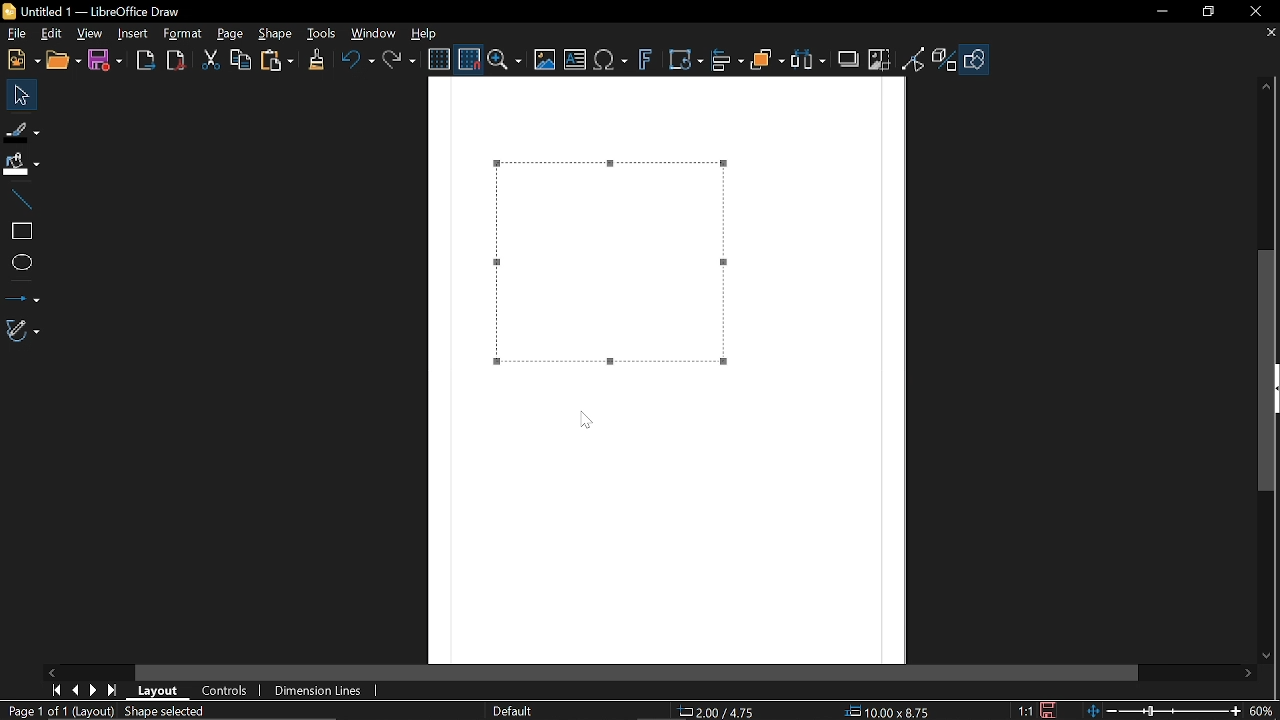 The image size is (1280, 720). I want to click on Last page, so click(115, 690).